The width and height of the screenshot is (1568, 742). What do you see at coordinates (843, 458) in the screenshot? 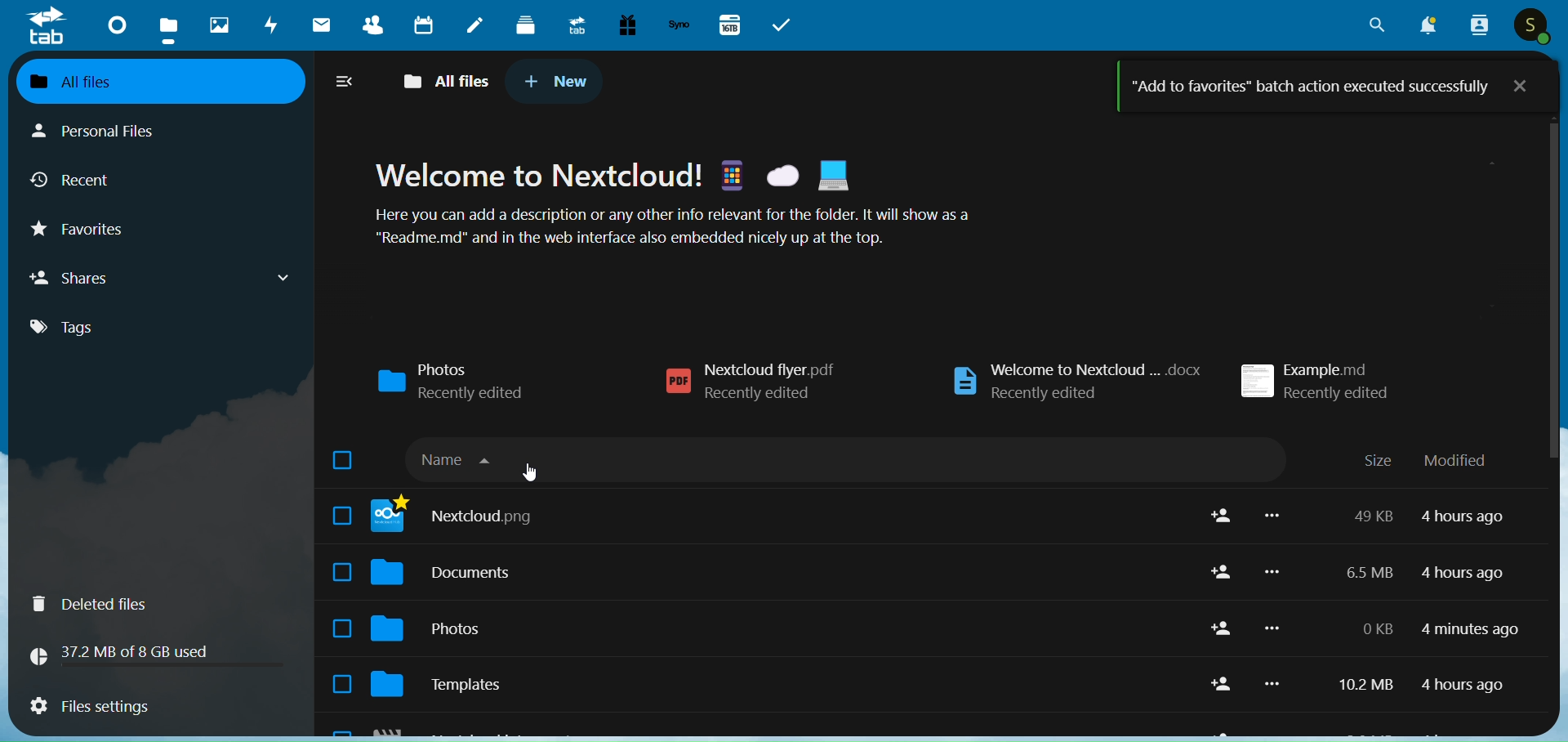
I see `Name` at bounding box center [843, 458].